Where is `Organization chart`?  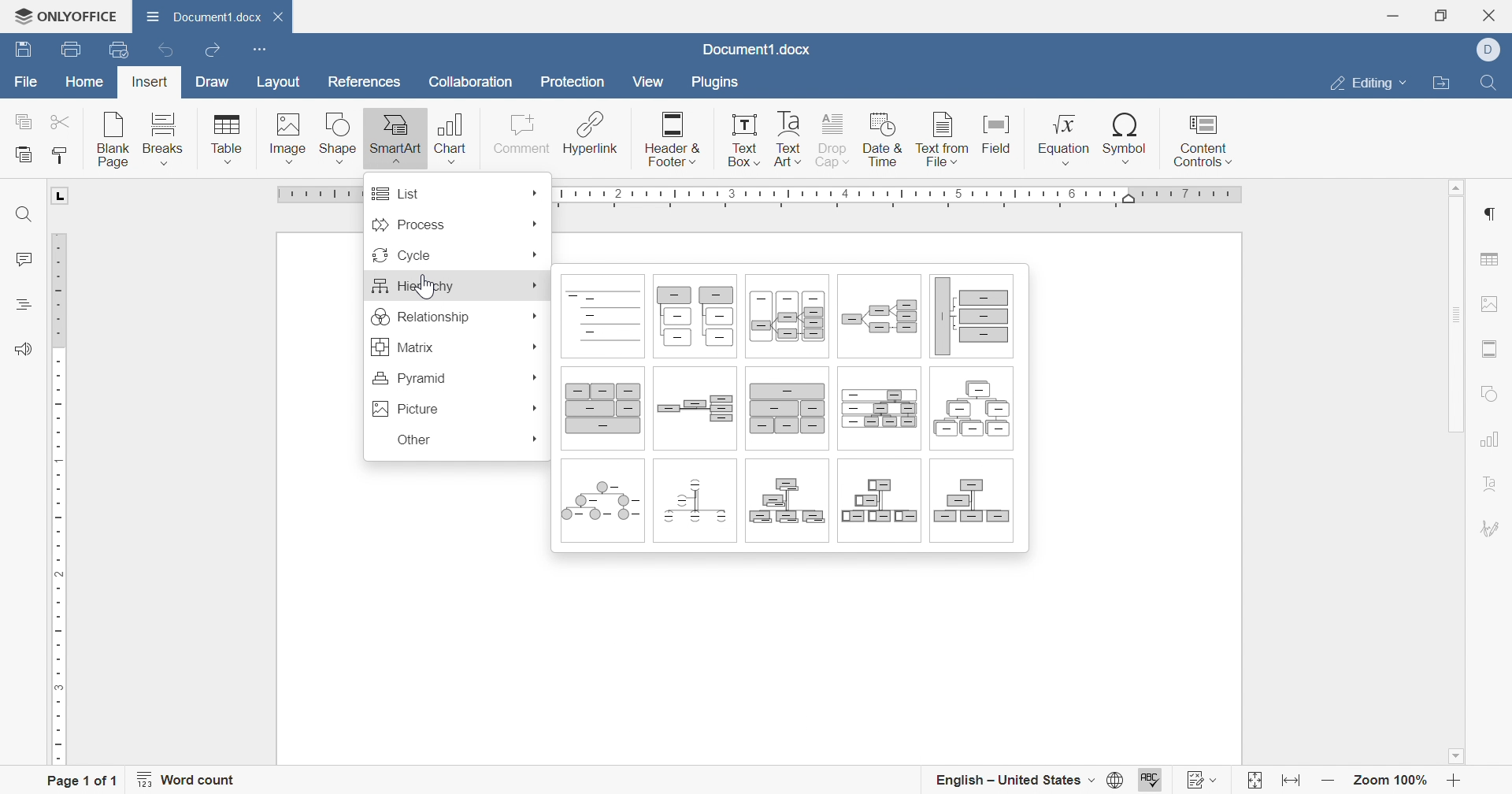 Organization chart is located at coordinates (975, 504).